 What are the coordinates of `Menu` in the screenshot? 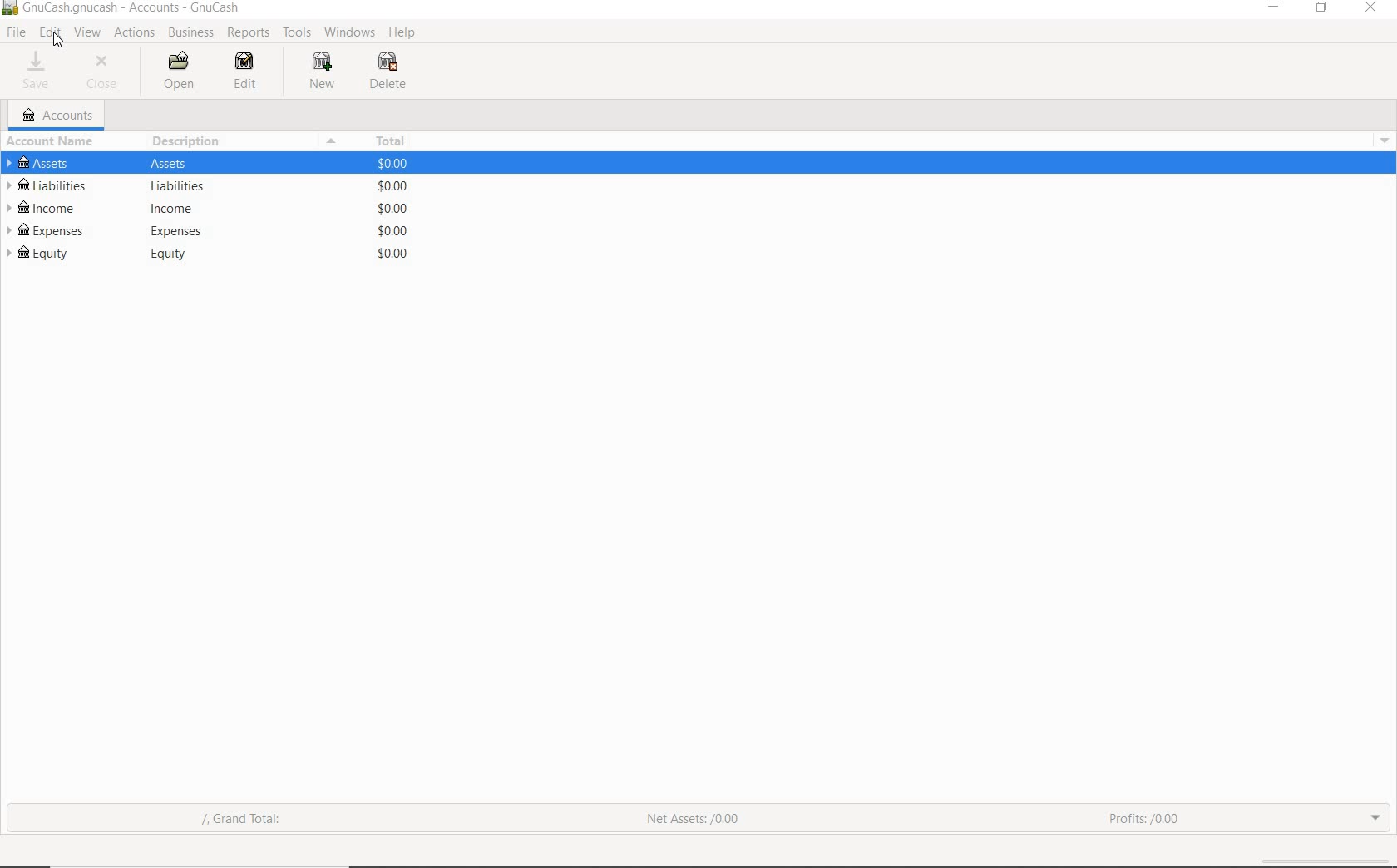 It's located at (333, 141).